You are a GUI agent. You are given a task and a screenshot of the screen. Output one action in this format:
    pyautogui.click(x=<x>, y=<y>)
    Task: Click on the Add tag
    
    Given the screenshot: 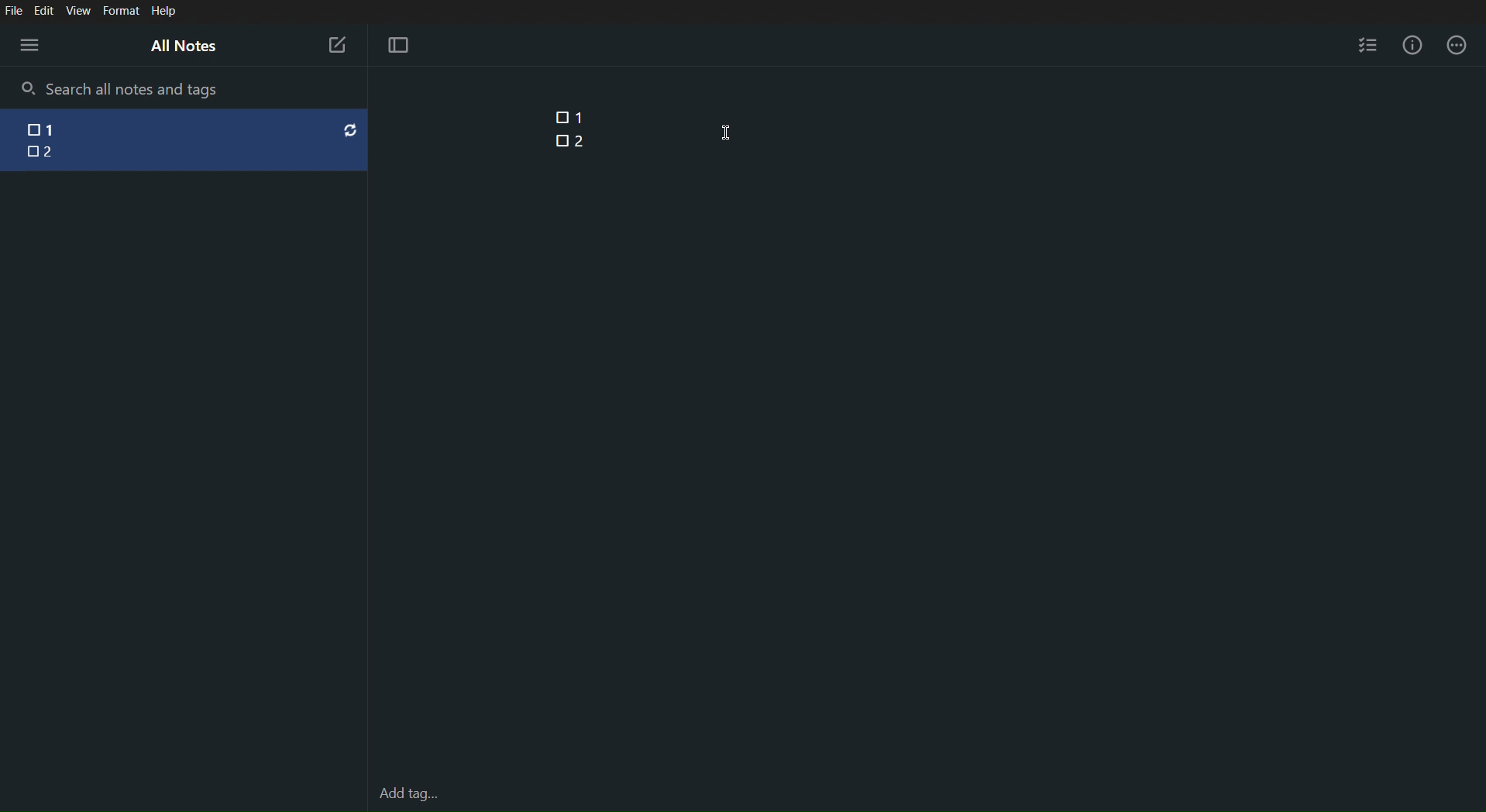 What is the action you would take?
    pyautogui.click(x=408, y=791)
    